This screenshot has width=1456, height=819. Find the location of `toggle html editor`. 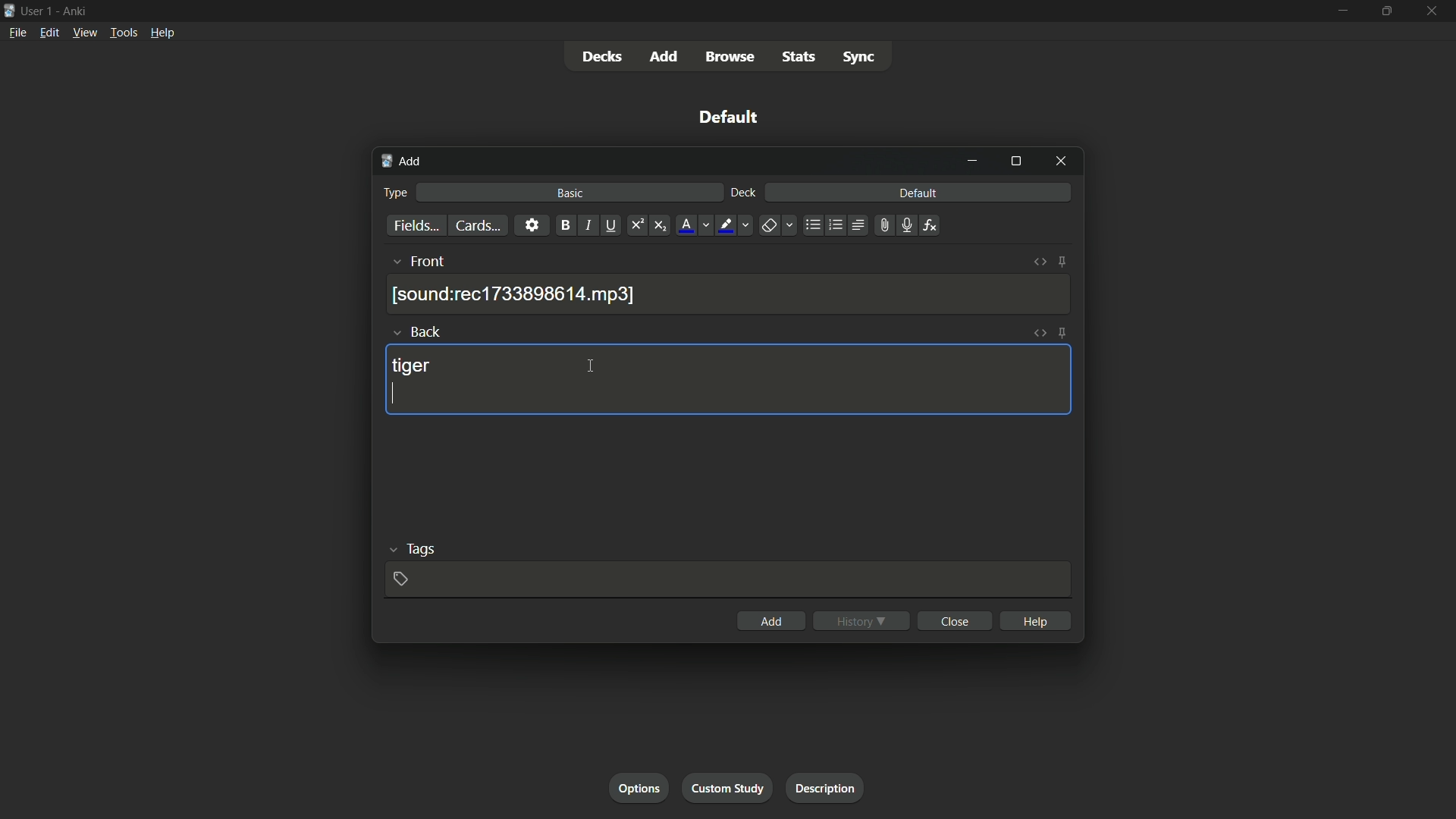

toggle html editor is located at coordinates (1040, 334).